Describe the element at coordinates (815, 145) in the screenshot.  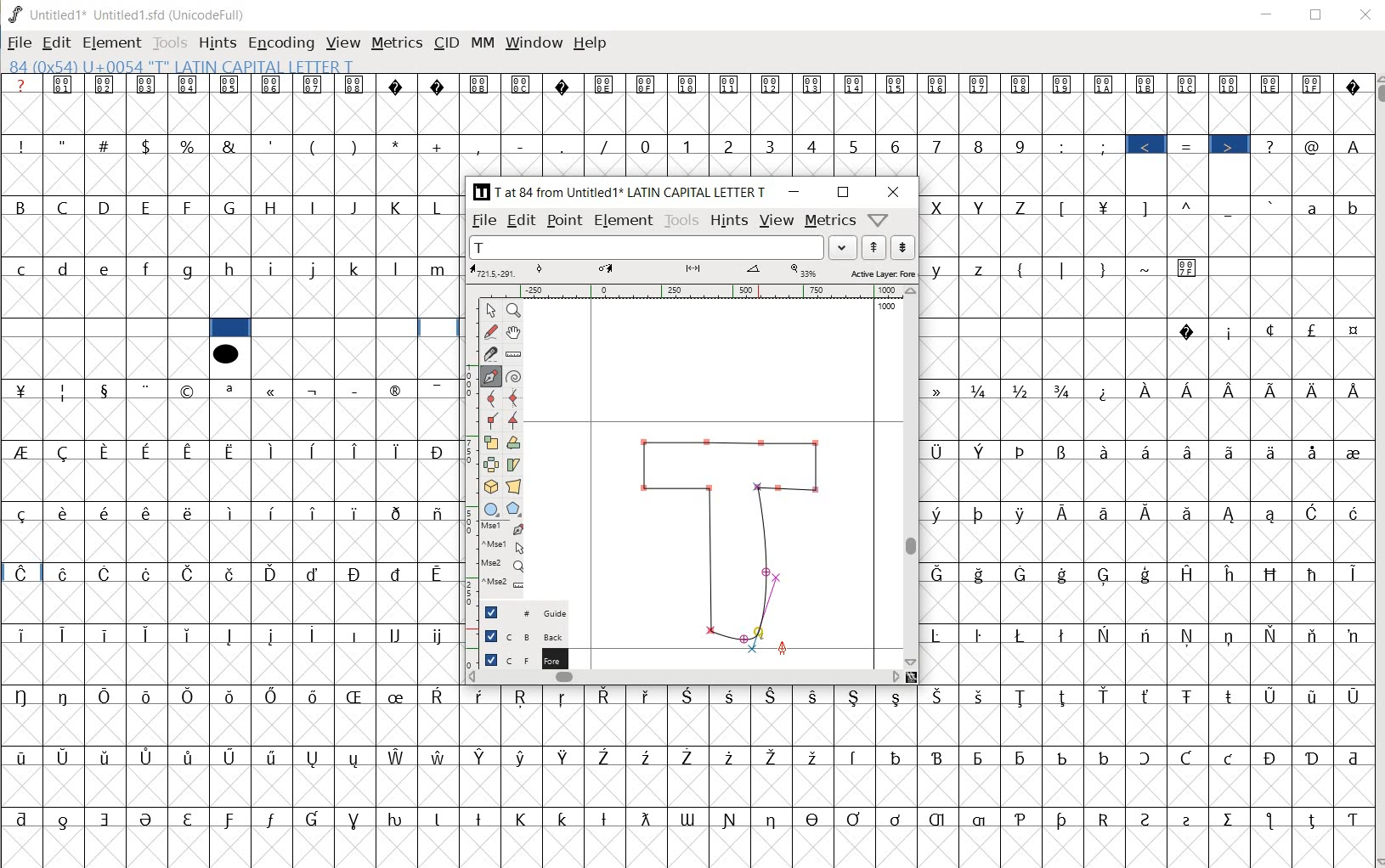
I see `4` at that location.